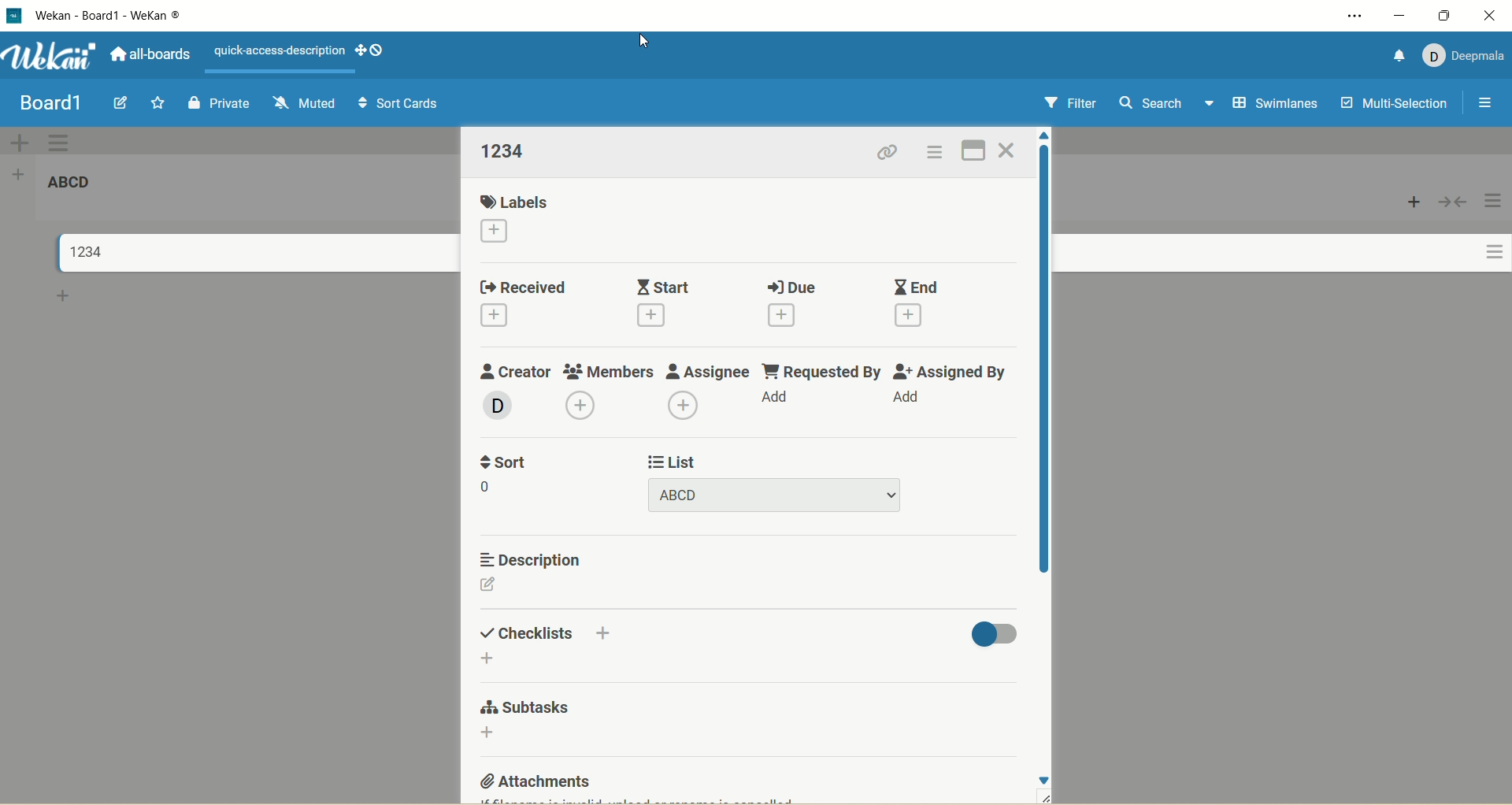 The height and width of the screenshot is (805, 1512). Describe the element at coordinates (776, 495) in the screenshot. I see `ABCD` at that location.